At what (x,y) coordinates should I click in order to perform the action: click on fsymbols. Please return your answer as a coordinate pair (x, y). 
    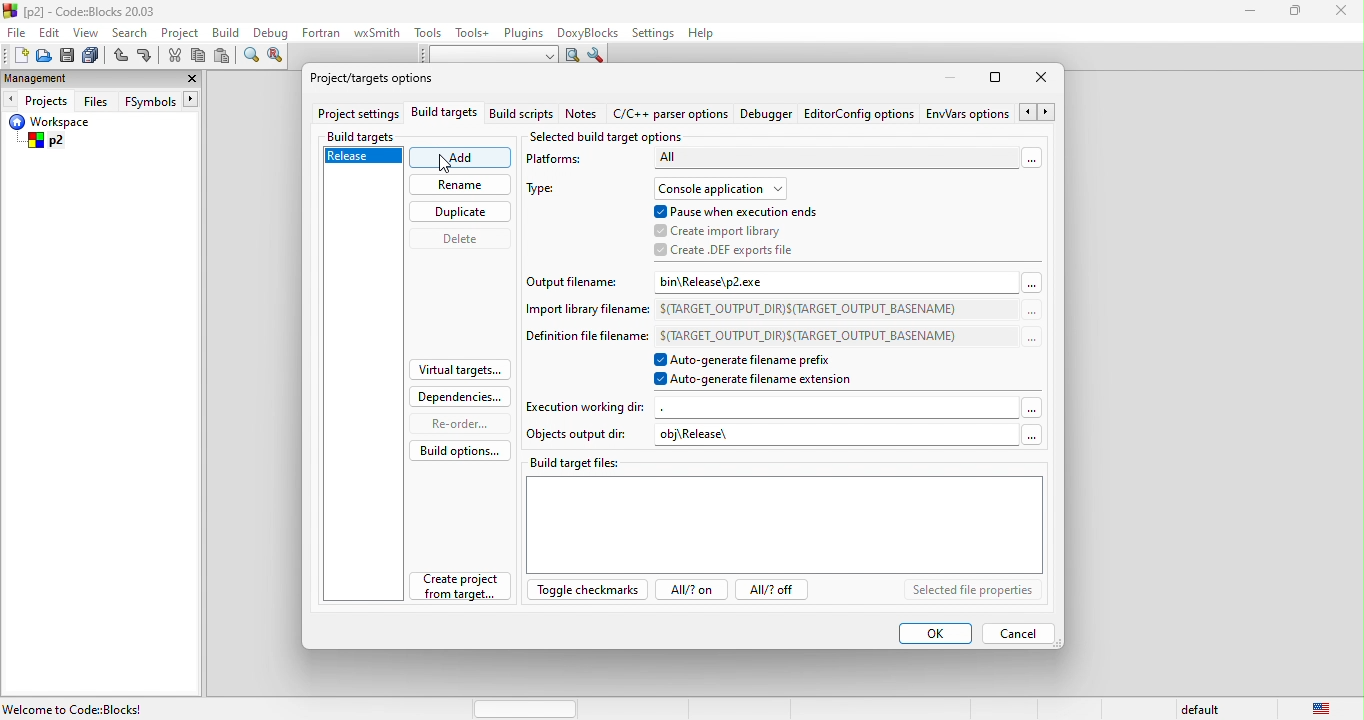
    Looking at the image, I should click on (166, 100).